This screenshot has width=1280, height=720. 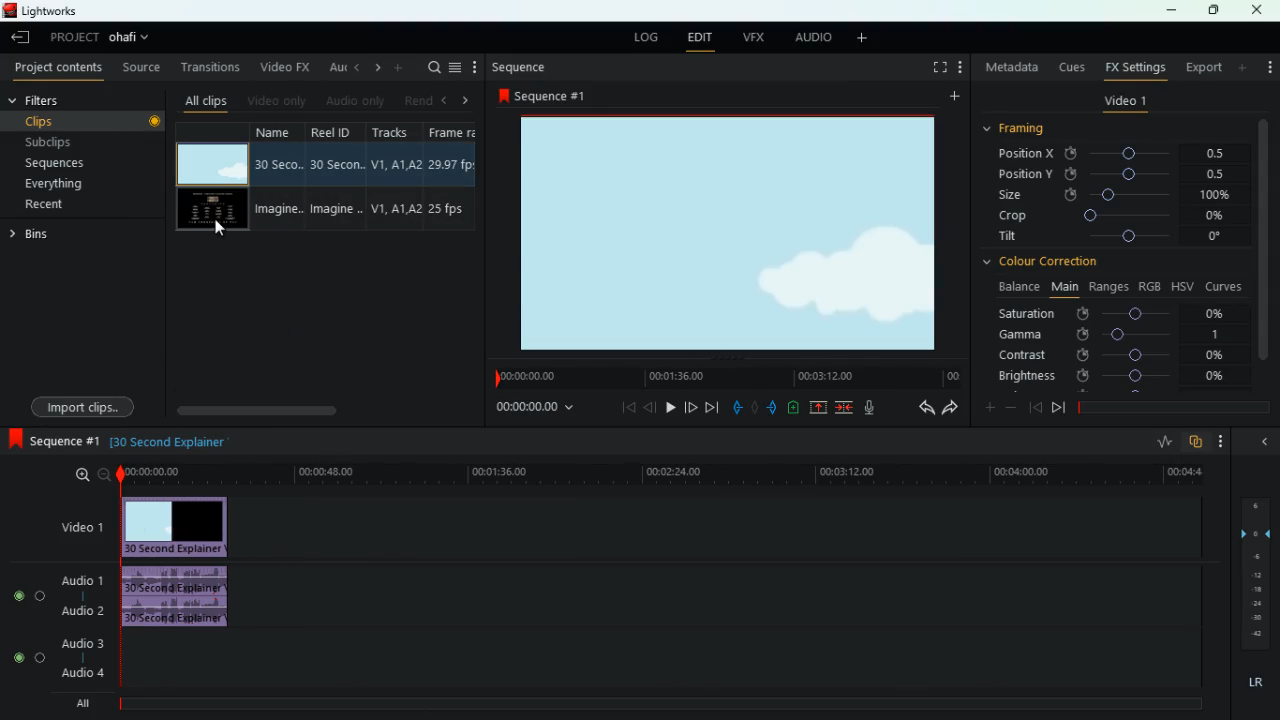 What do you see at coordinates (548, 95) in the screenshot?
I see `sequence` at bounding box center [548, 95].